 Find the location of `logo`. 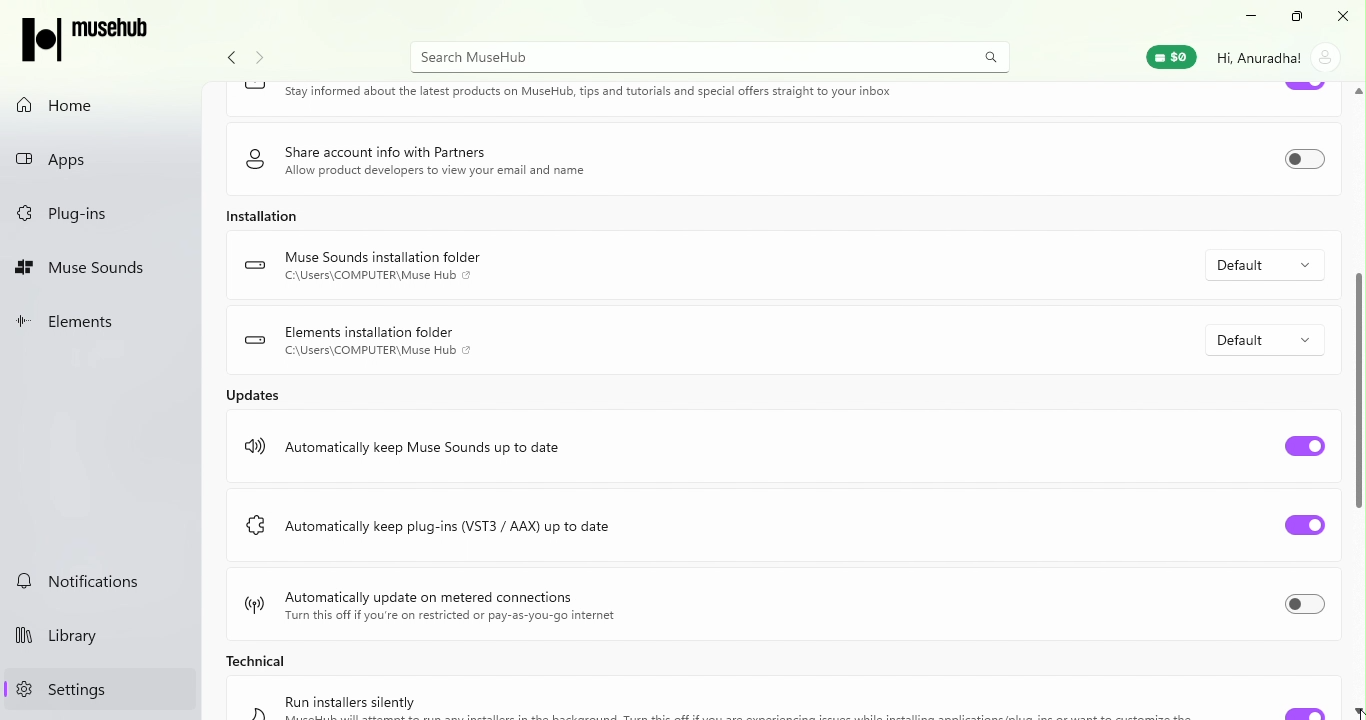

logo is located at coordinates (255, 158).